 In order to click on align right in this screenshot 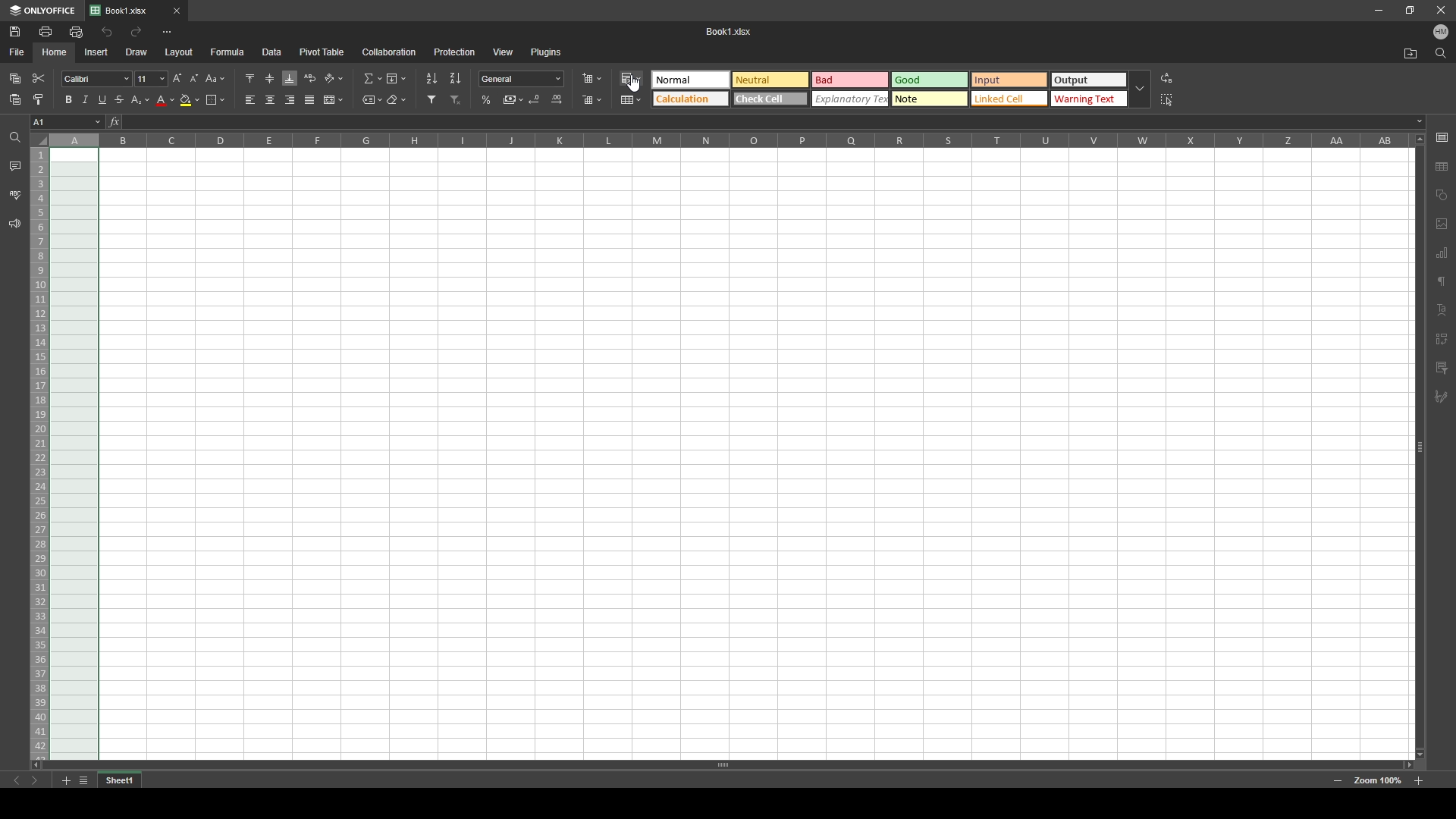, I will do `click(290, 100)`.